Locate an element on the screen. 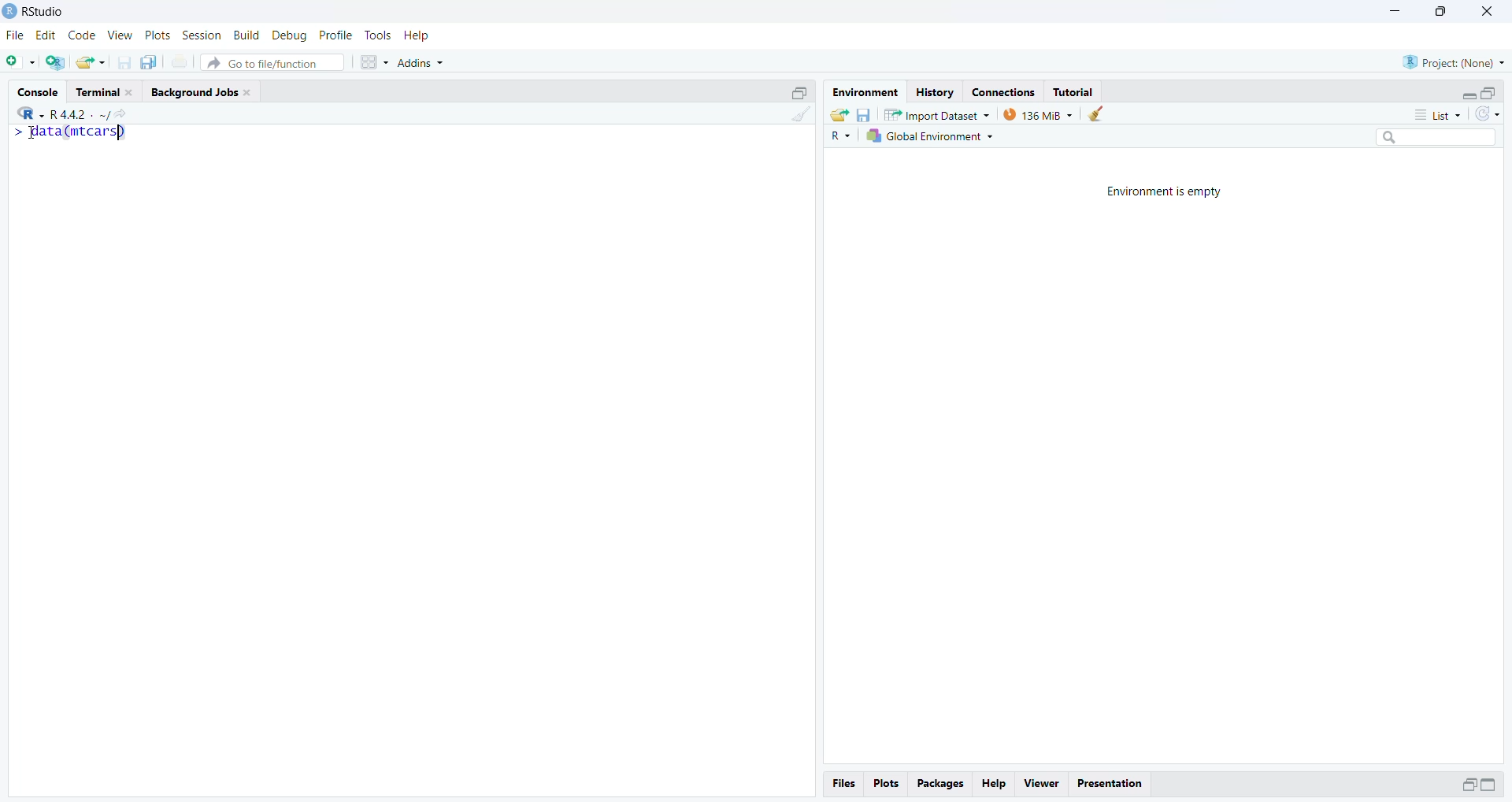  Go to file/function is located at coordinates (274, 61).